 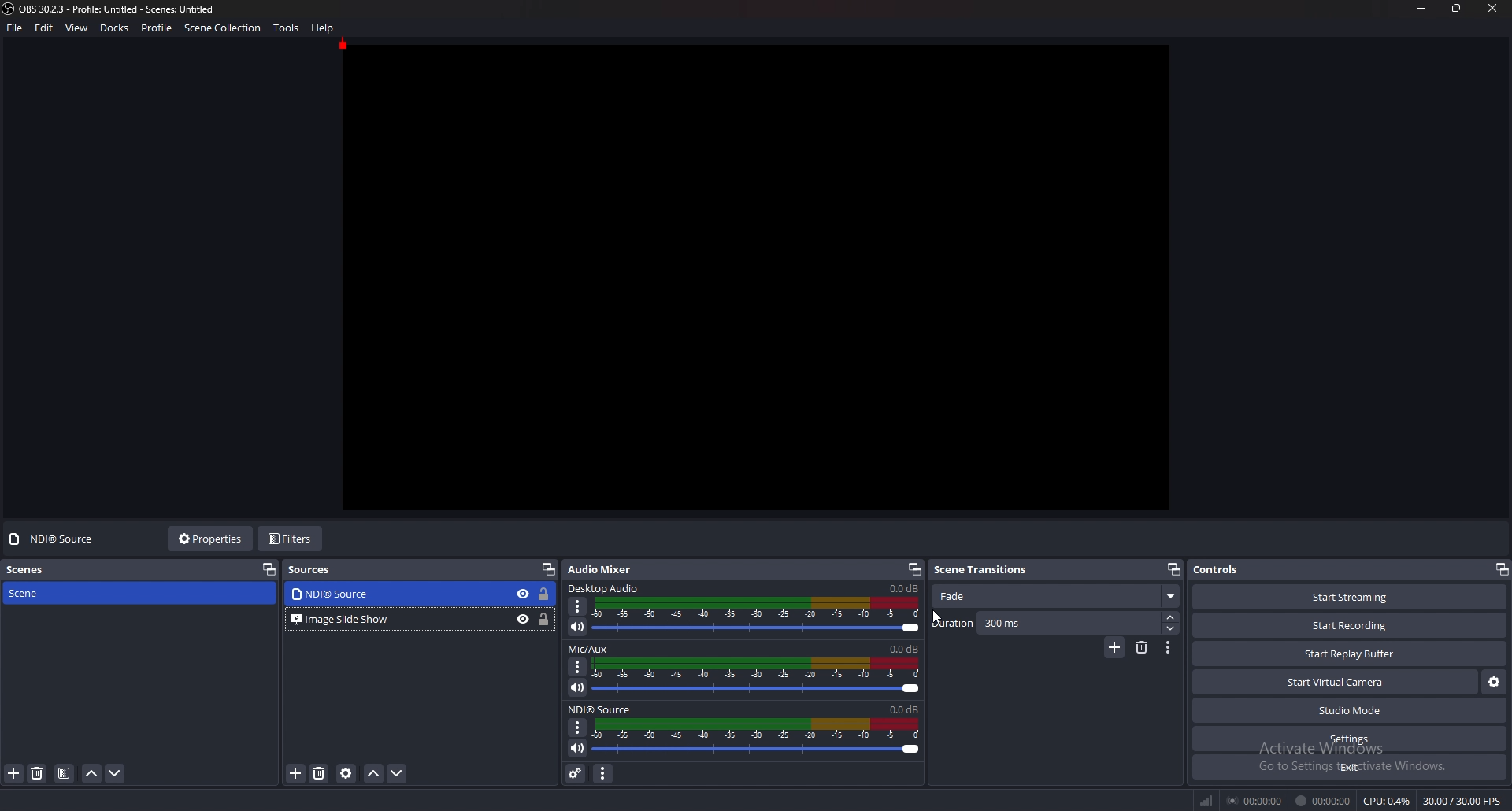 I want to click on audio mixer, so click(x=608, y=569).